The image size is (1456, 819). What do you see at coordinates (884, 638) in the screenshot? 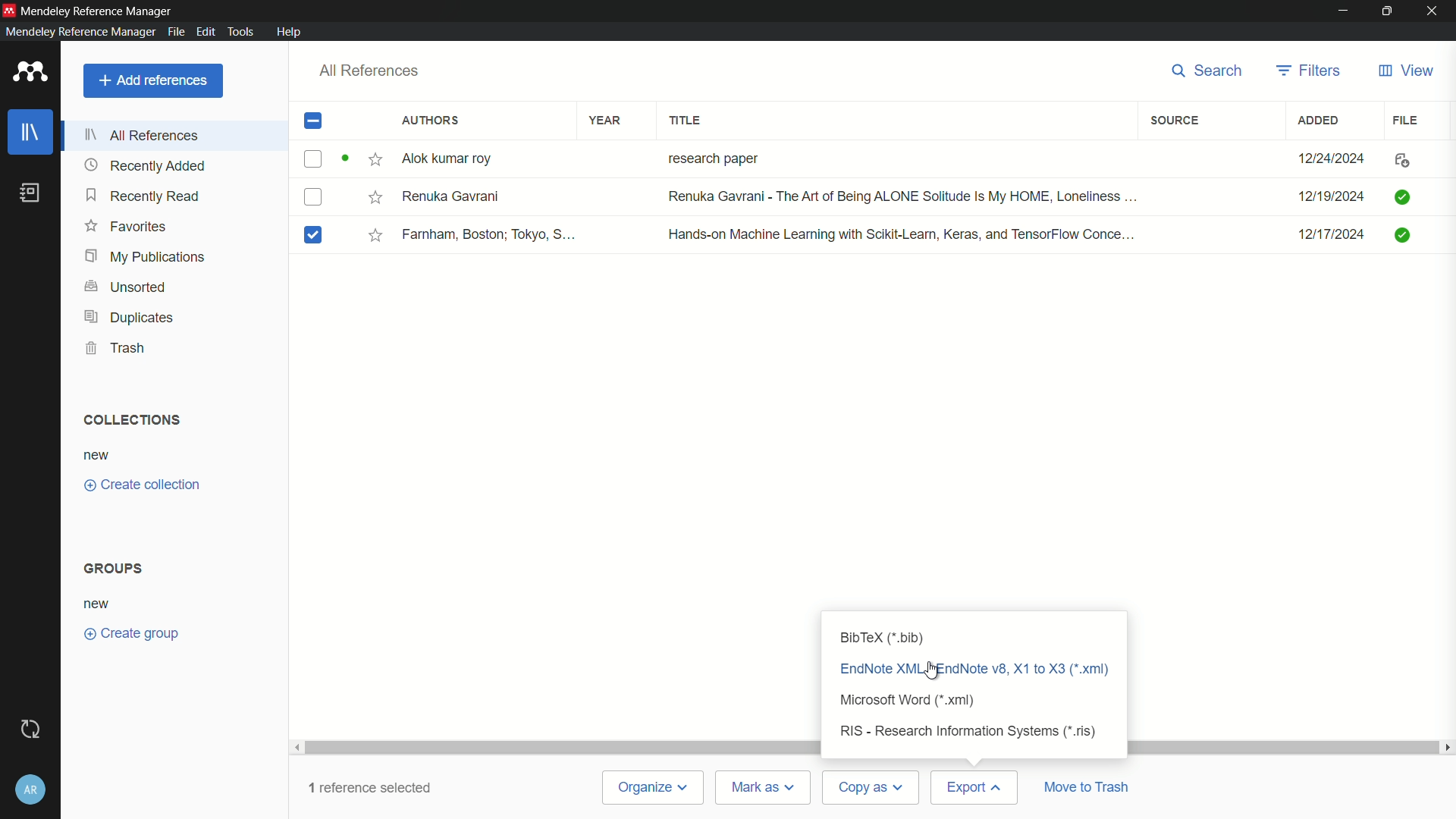
I see `bibtex` at bounding box center [884, 638].